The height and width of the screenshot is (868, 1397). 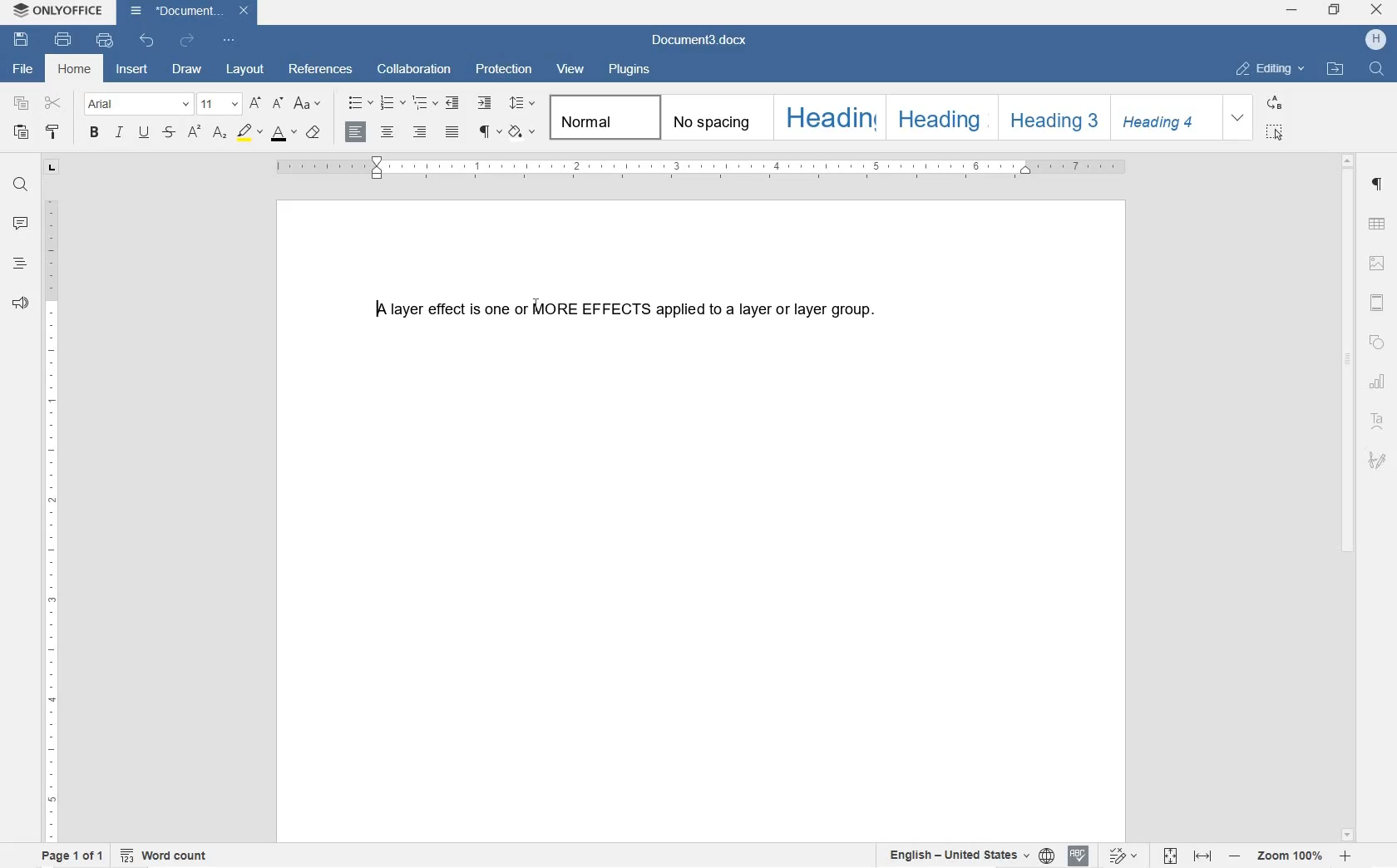 What do you see at coordinates (249, 132) in the screenshot?
I see `HIGHLIGHT COLOR` at bounding box center [249, 132].